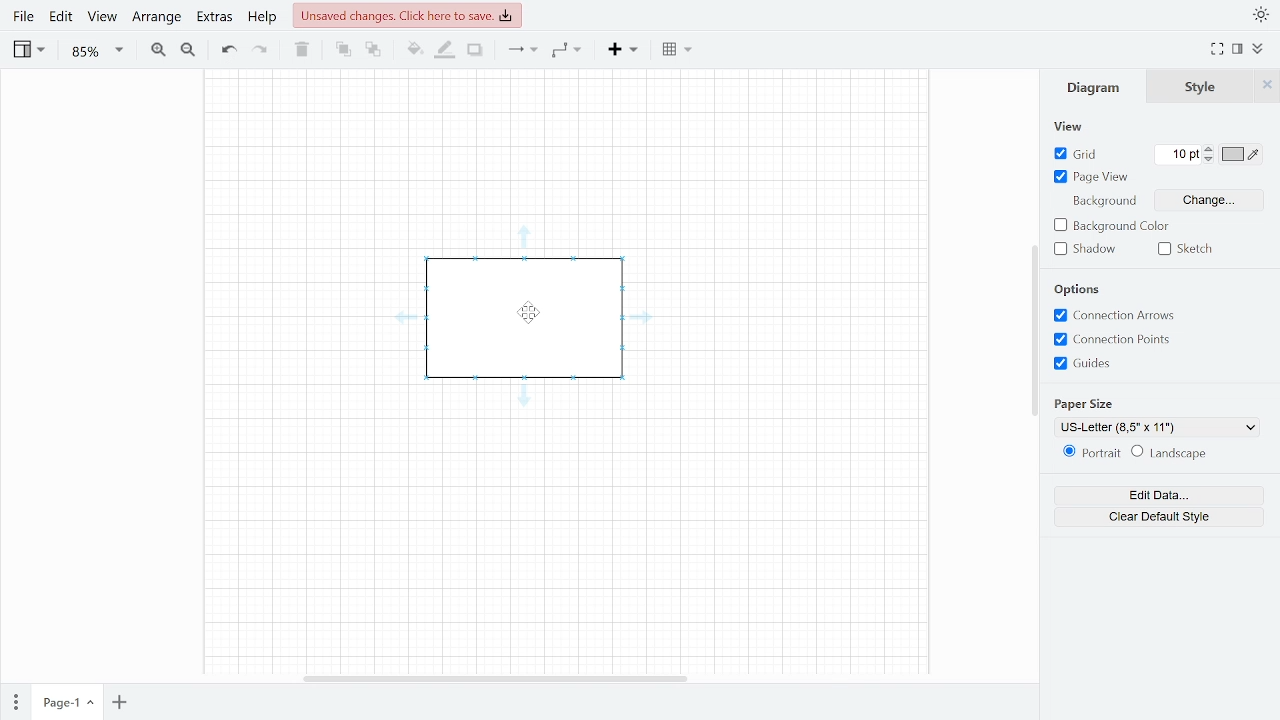 Image resolution: width=1280 pixels, height=720 pixels. Describe the element at coordinates (158, 50) in the screenshot. I see `Zoom in` at that location.